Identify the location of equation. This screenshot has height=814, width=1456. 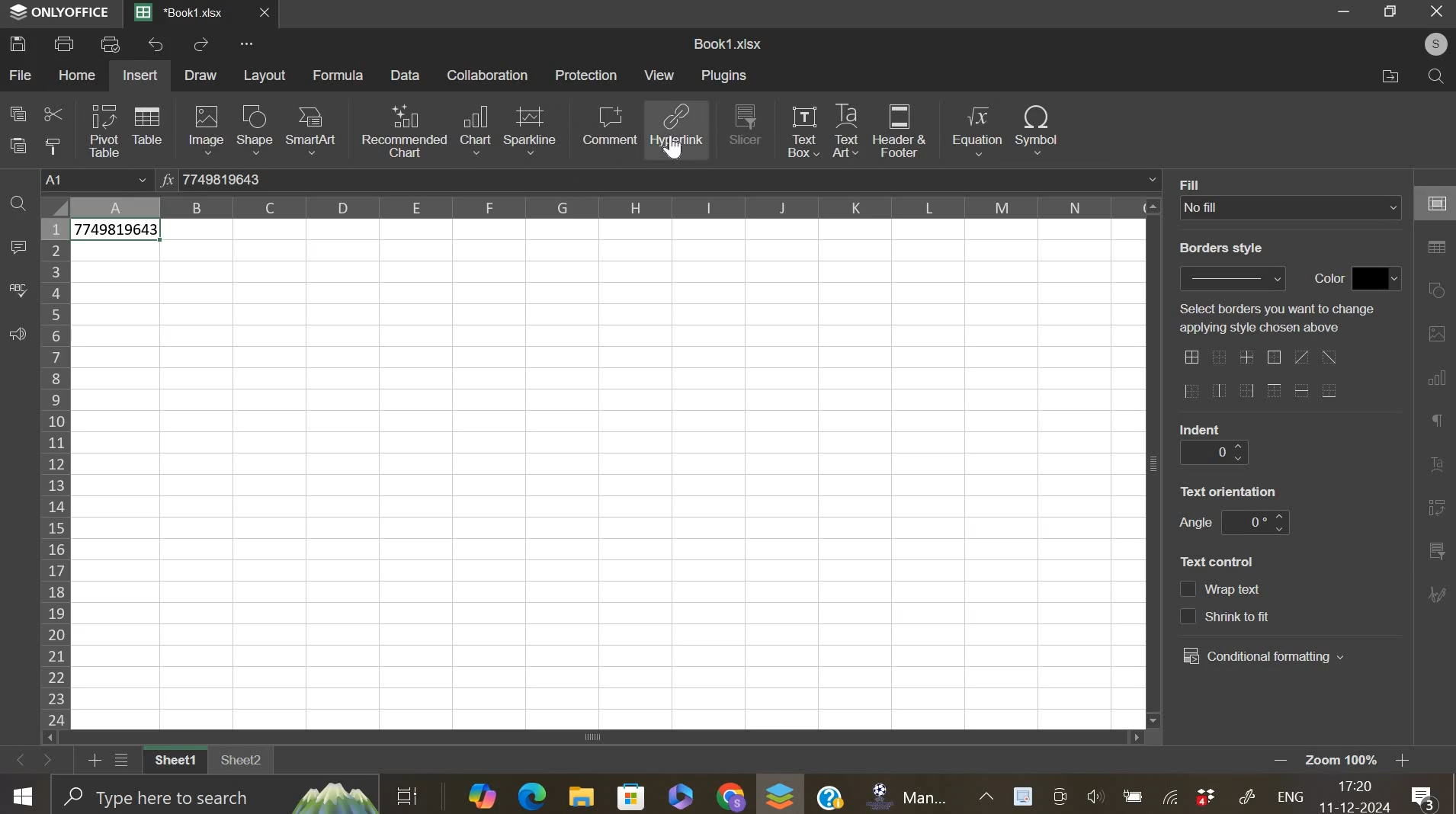
(976, 131).